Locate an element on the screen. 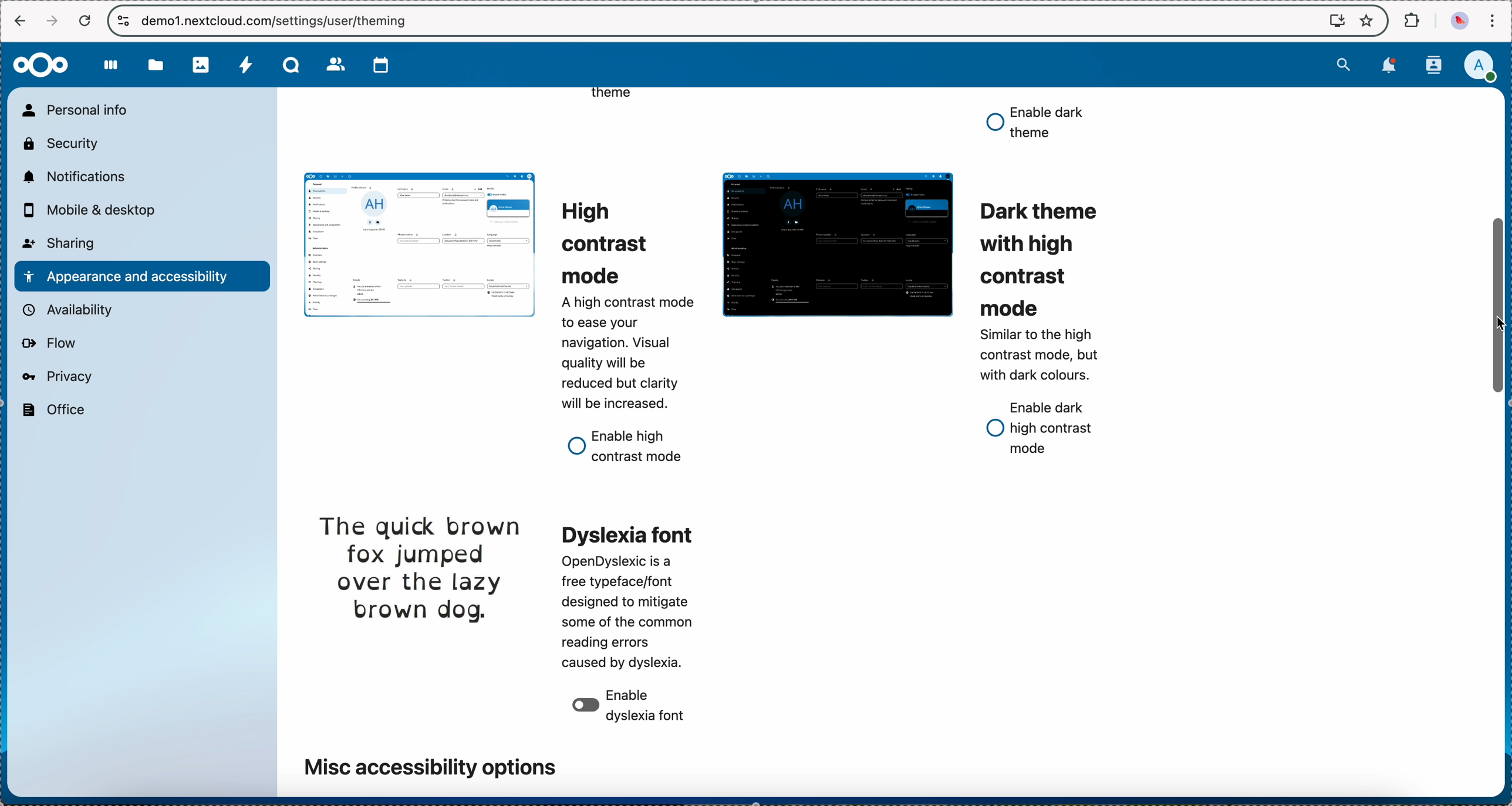 This screenshot has height=806, width=1512. controls is located at coordinates (121, 21).